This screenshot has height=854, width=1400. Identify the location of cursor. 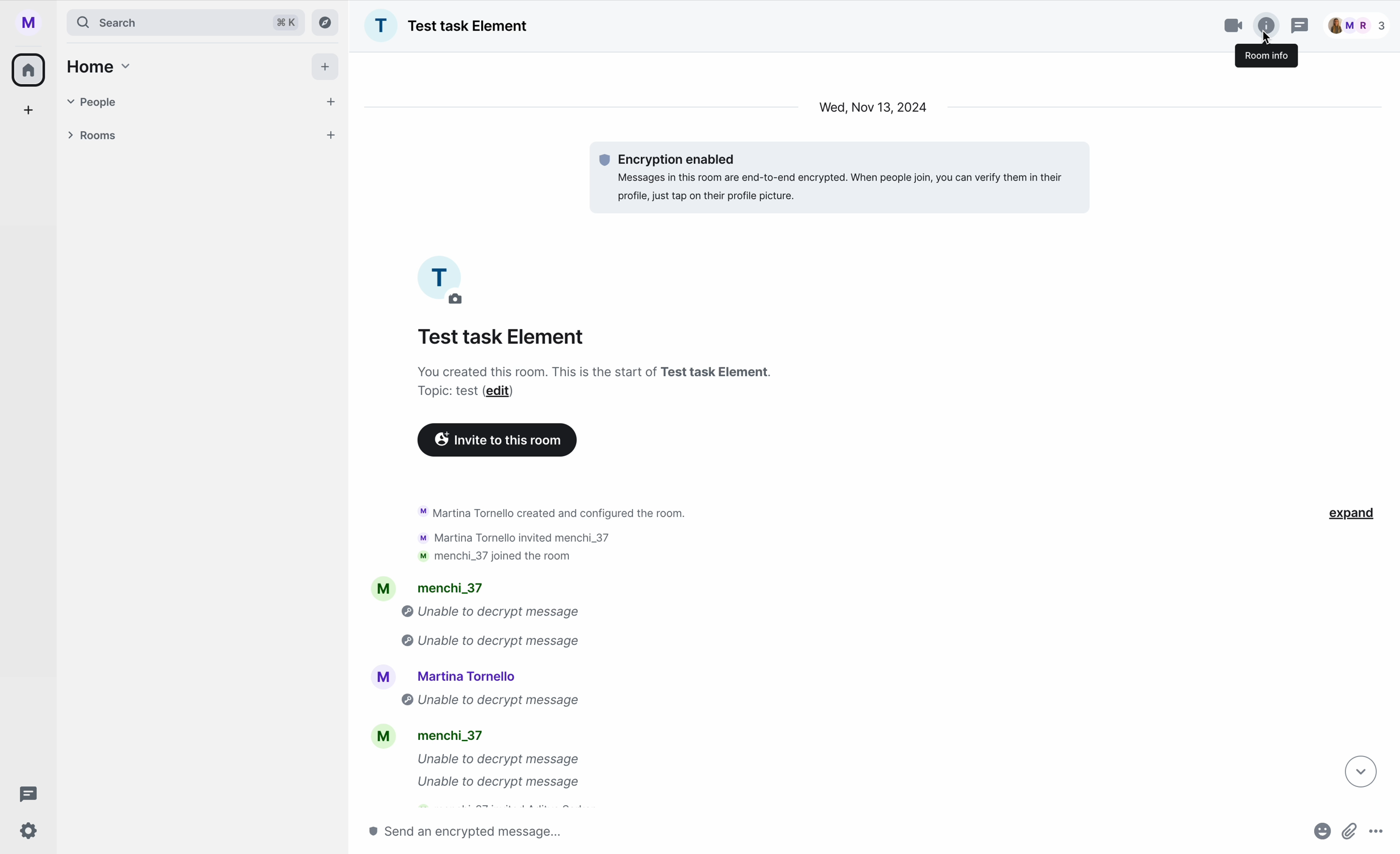
(1267, 39).